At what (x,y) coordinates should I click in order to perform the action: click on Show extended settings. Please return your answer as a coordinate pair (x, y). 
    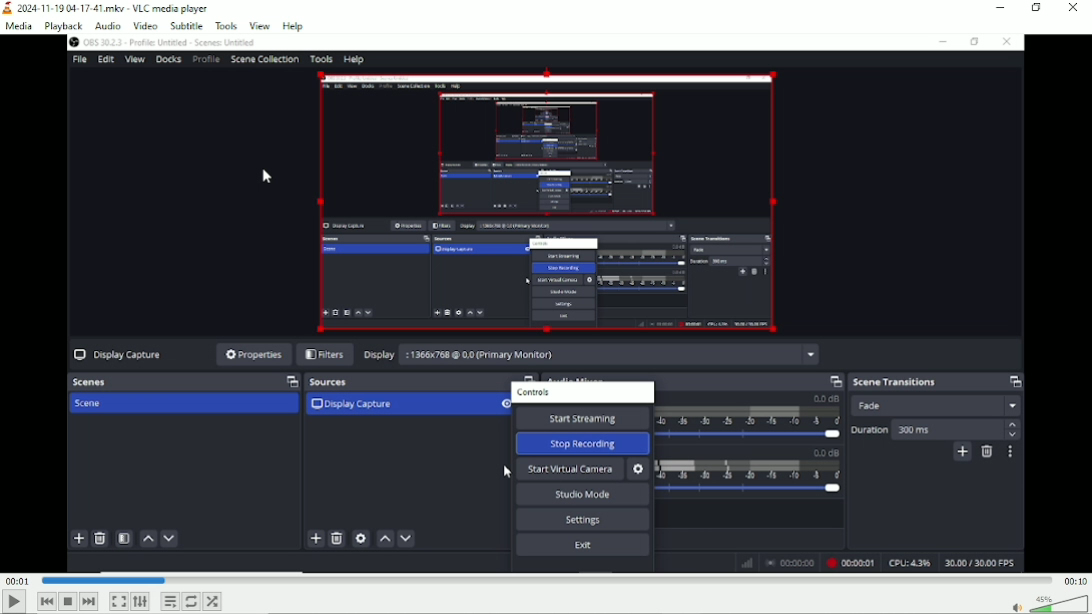
    Looking at the image, I should click on (140, 602).